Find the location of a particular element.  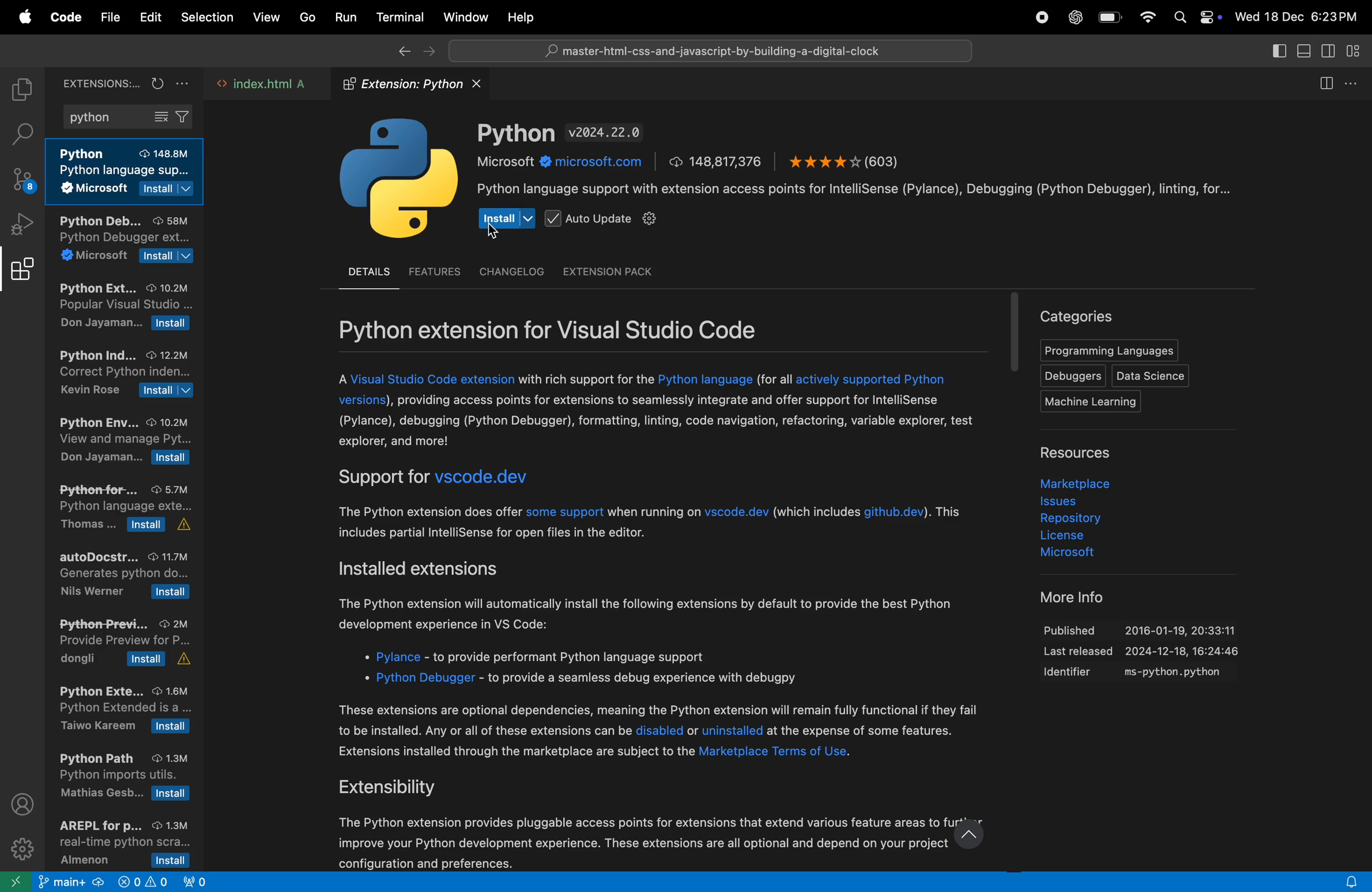

options is located at coordinates (1358, 81).